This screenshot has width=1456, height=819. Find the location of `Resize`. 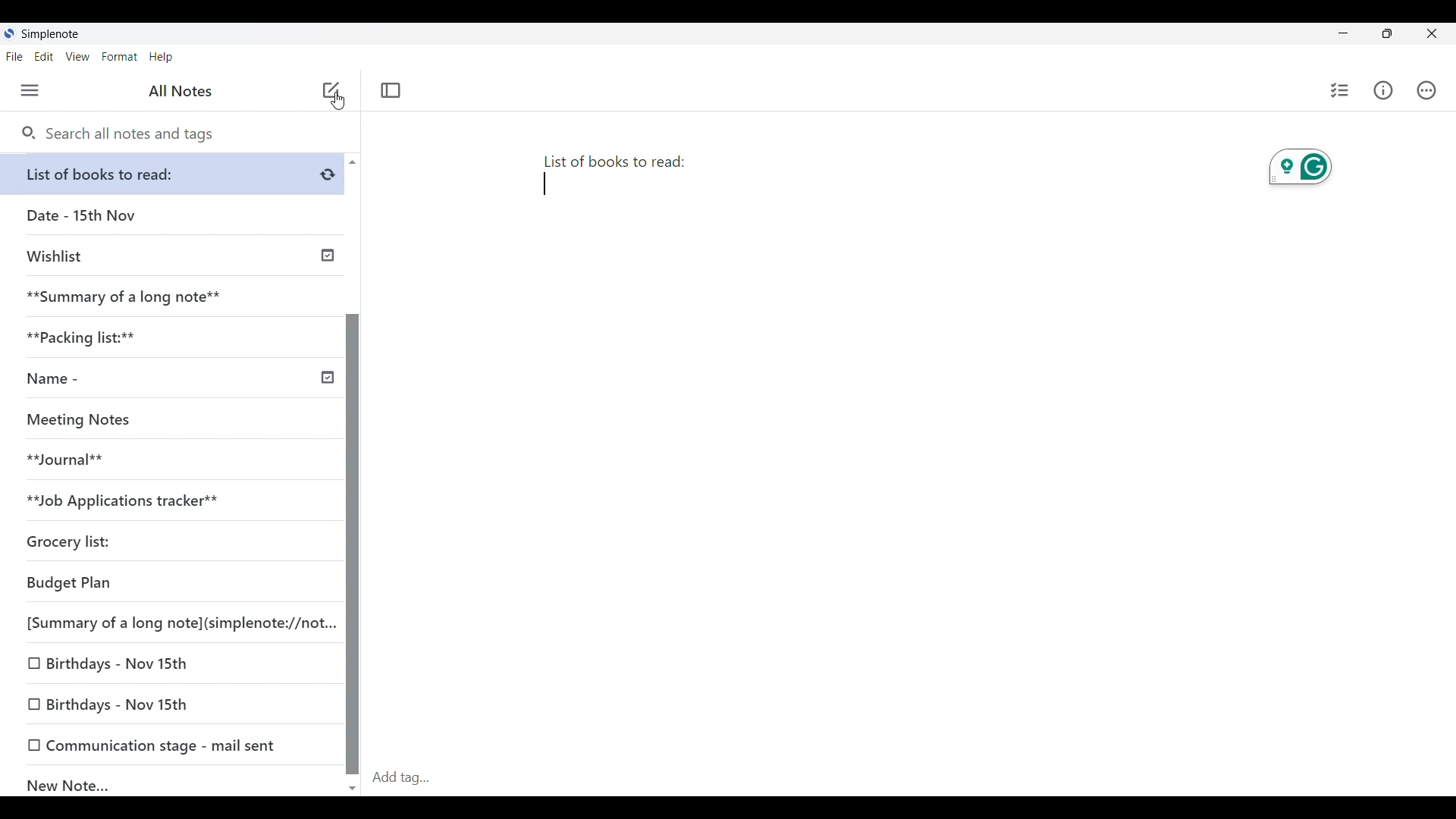

Resize is located at coordinates (1382, 35).